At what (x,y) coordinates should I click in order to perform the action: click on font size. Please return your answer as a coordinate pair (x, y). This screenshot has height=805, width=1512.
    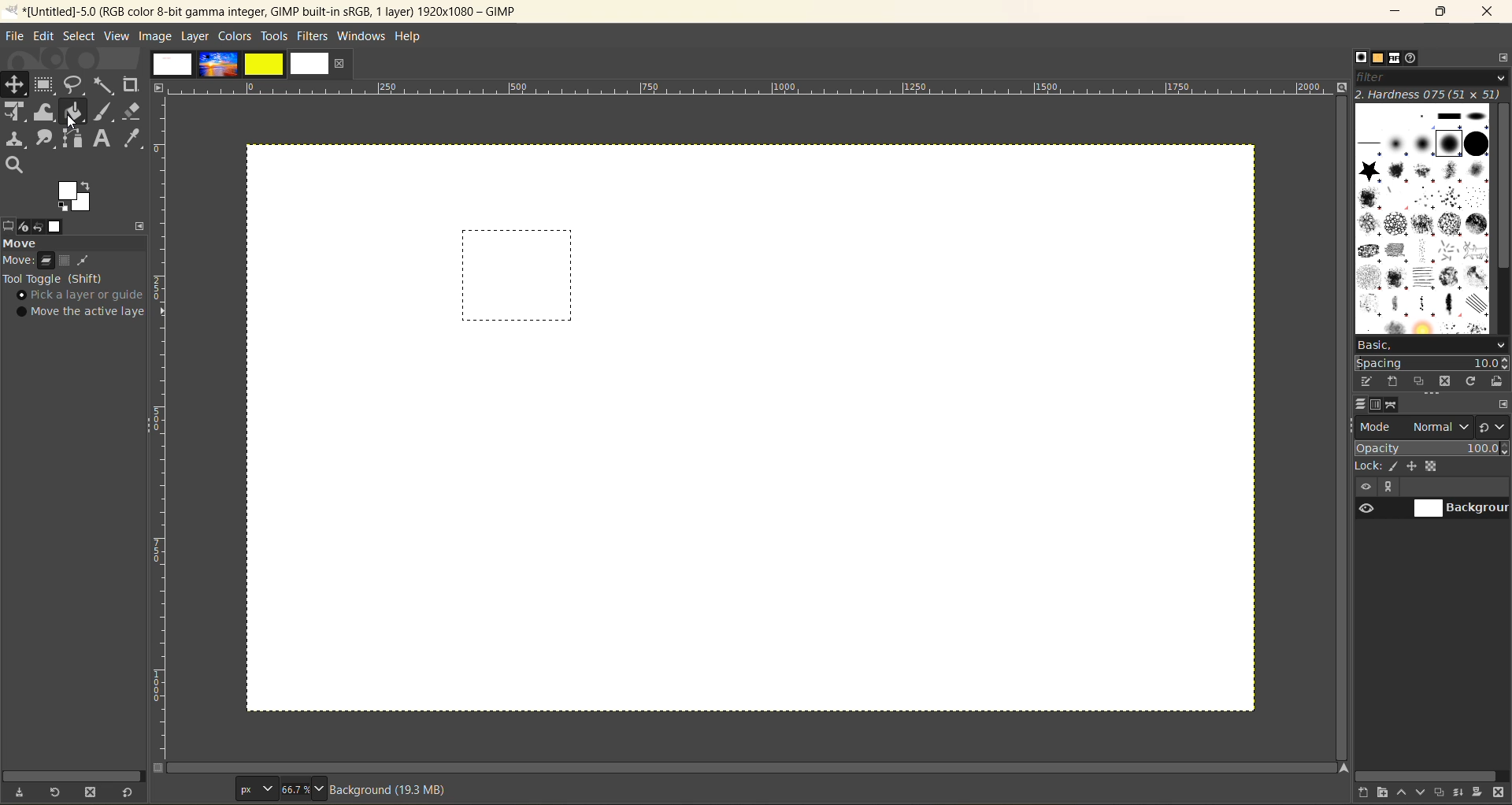
    Looking at the image, I should click on (278, 788).